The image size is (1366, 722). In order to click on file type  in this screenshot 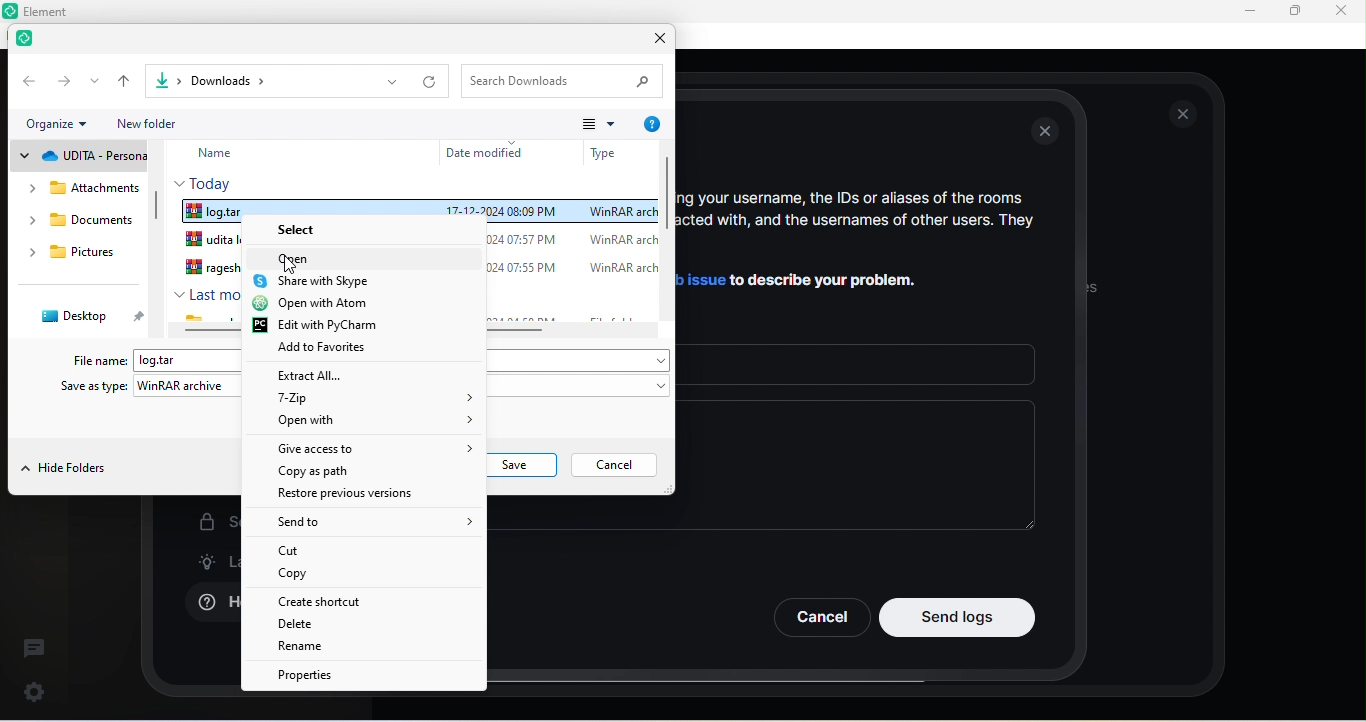, I will do `click(605, 151)`.